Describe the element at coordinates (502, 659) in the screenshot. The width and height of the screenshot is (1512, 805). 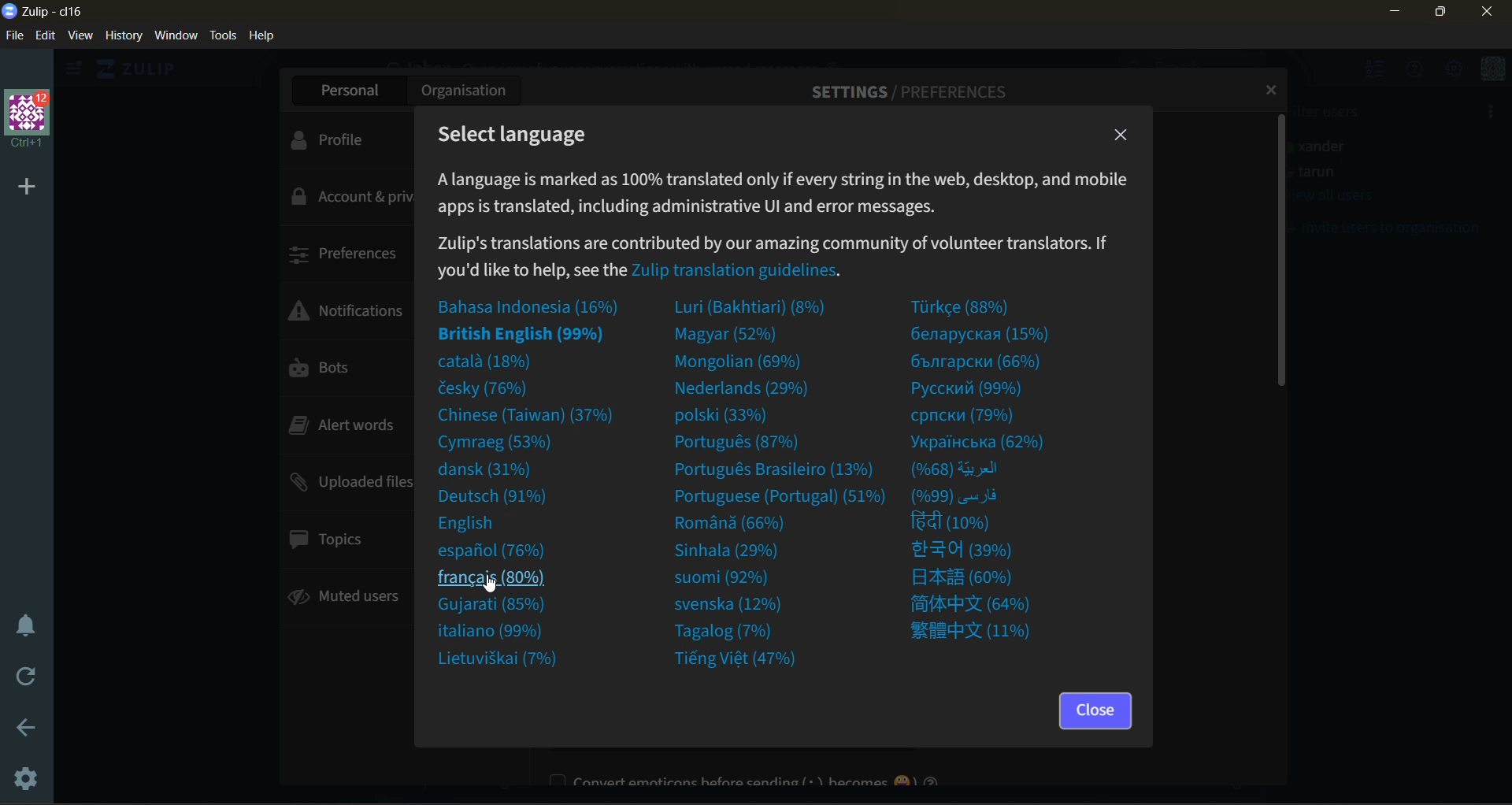
I see `lietuviskai` at that location.